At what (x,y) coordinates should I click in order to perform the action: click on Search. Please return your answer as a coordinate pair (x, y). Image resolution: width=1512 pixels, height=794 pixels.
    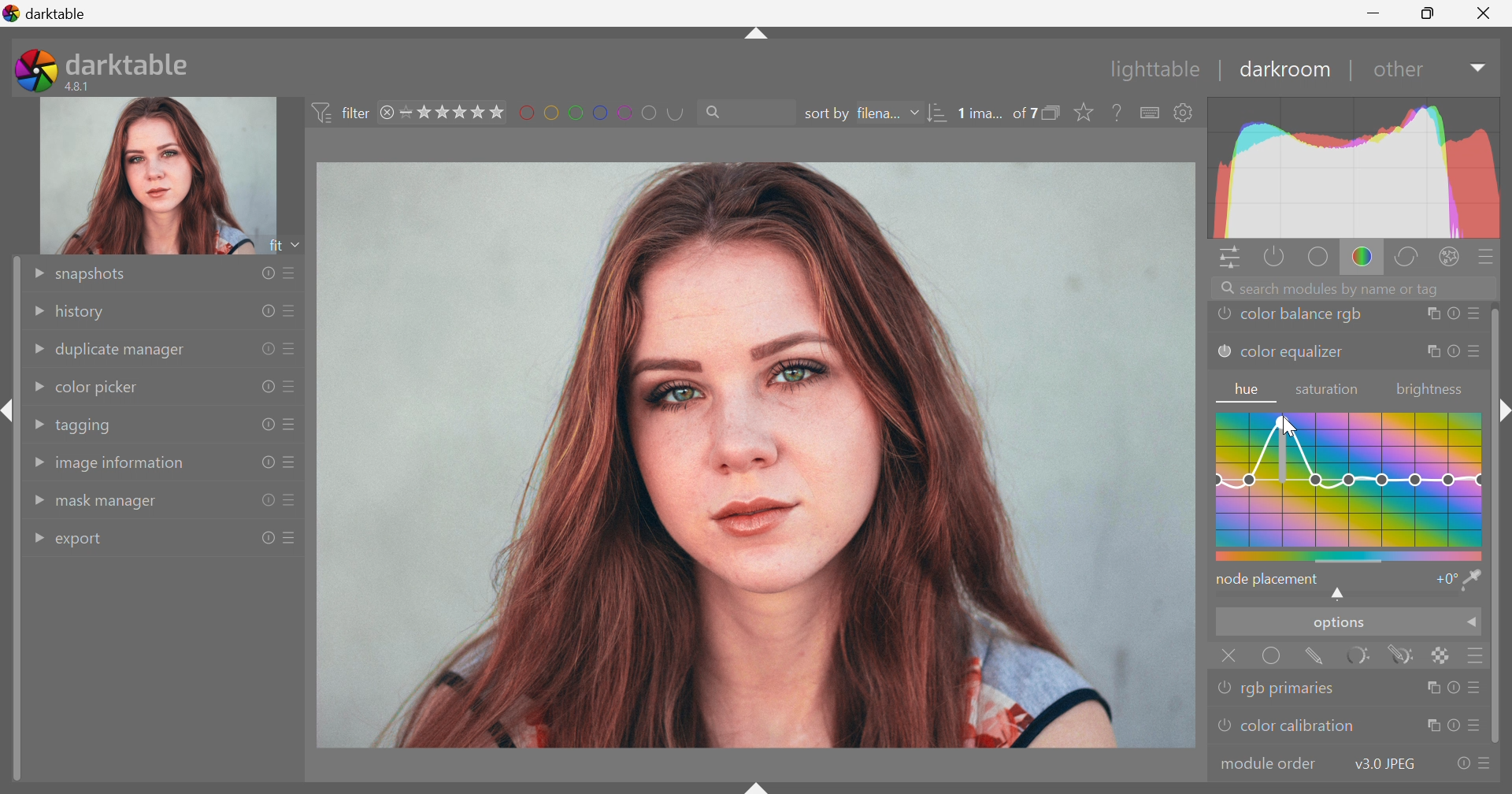
    Looking at the image, I should click on (720, 113).